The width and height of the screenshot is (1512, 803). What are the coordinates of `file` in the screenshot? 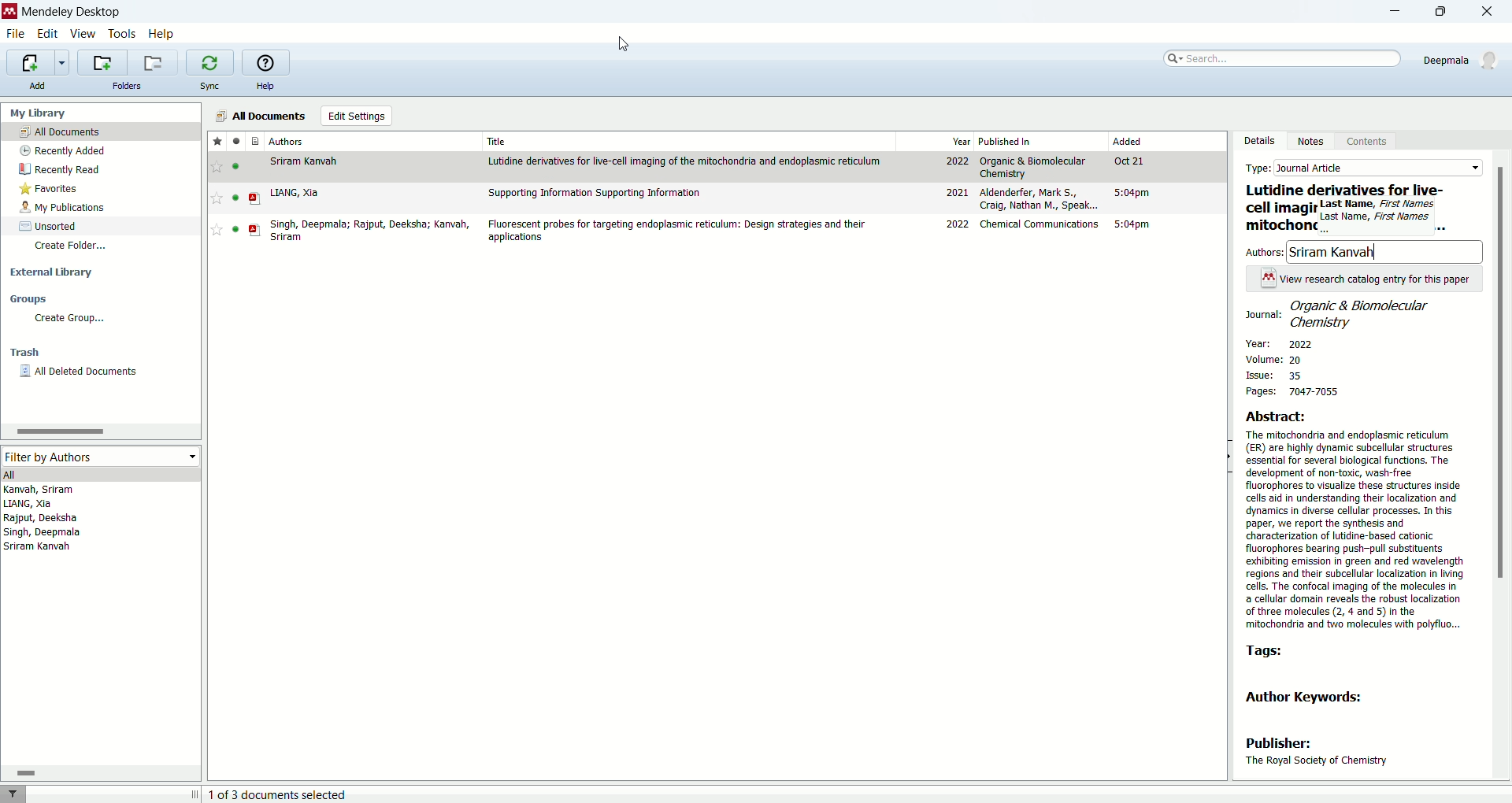 It's located at (18, 34).